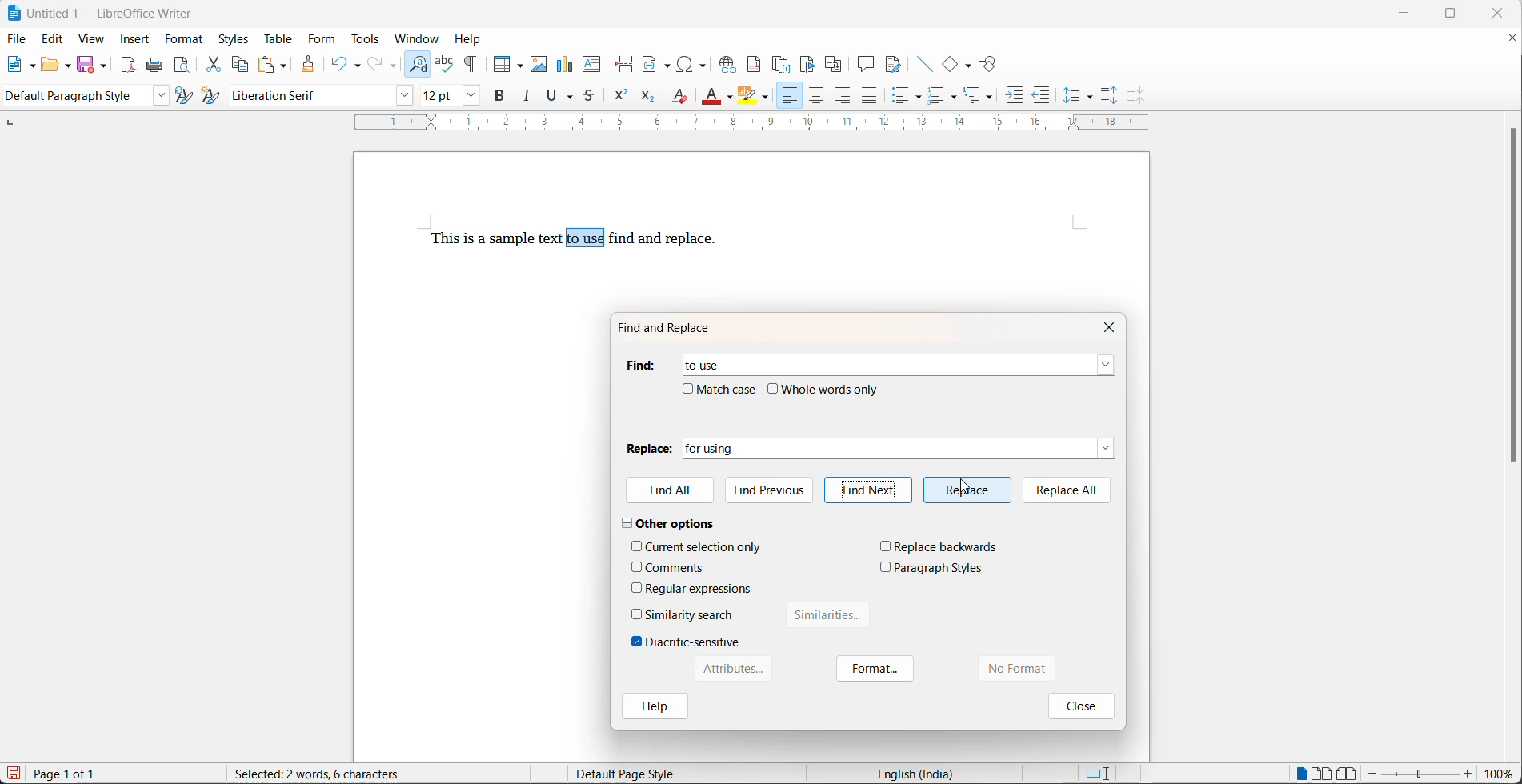 The height and width of the screenshot is (784, 1522). What do you see at coordinates (1071, 96) in the screenshot?
I see `line spacing options` at bounding box center [1071, 96].